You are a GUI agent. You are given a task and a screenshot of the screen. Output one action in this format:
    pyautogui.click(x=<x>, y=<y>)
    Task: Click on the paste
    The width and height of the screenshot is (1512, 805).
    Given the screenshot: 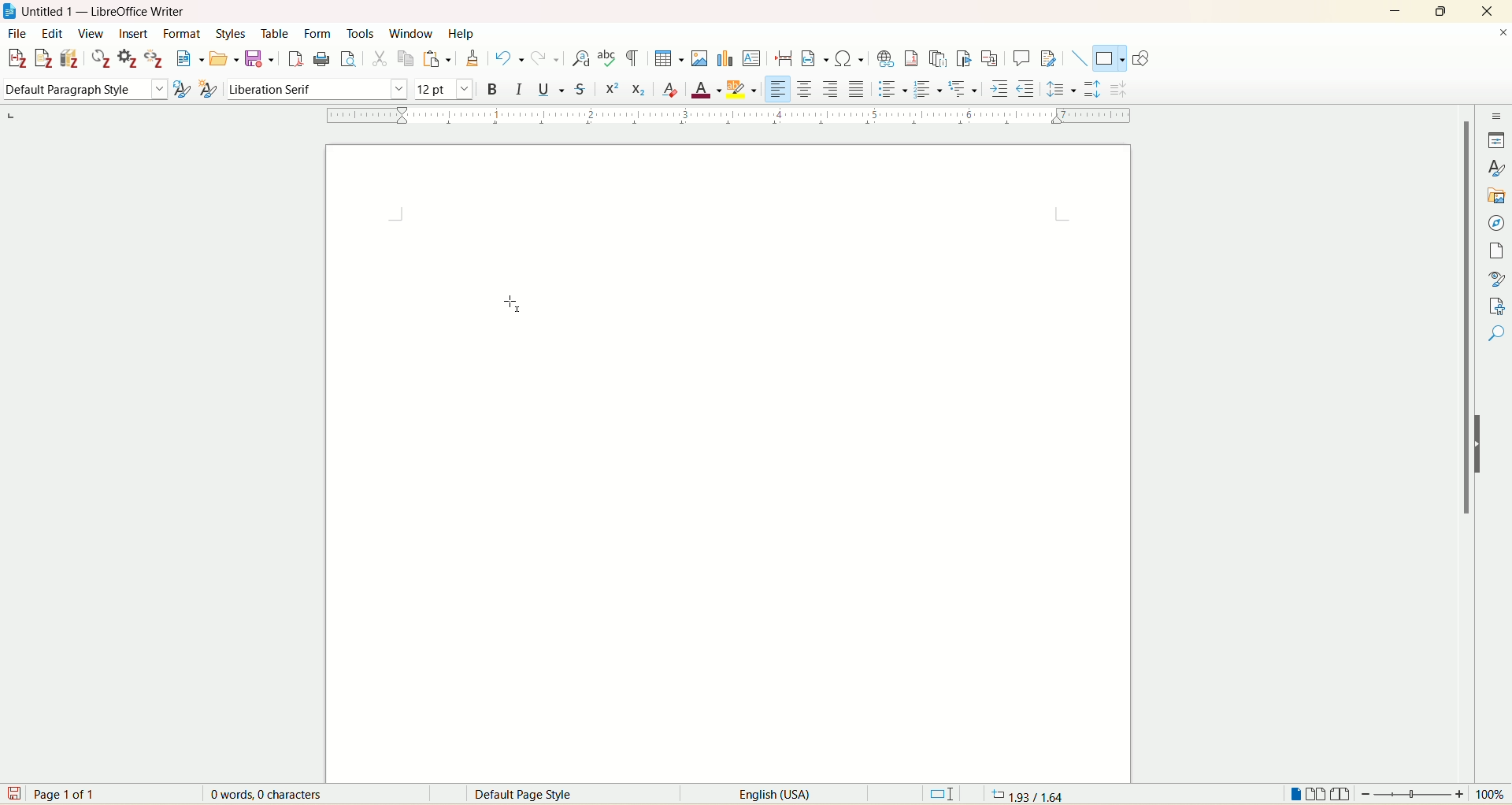 What is the action you would take?
    pyautogui.click(x=437, y=59)
    